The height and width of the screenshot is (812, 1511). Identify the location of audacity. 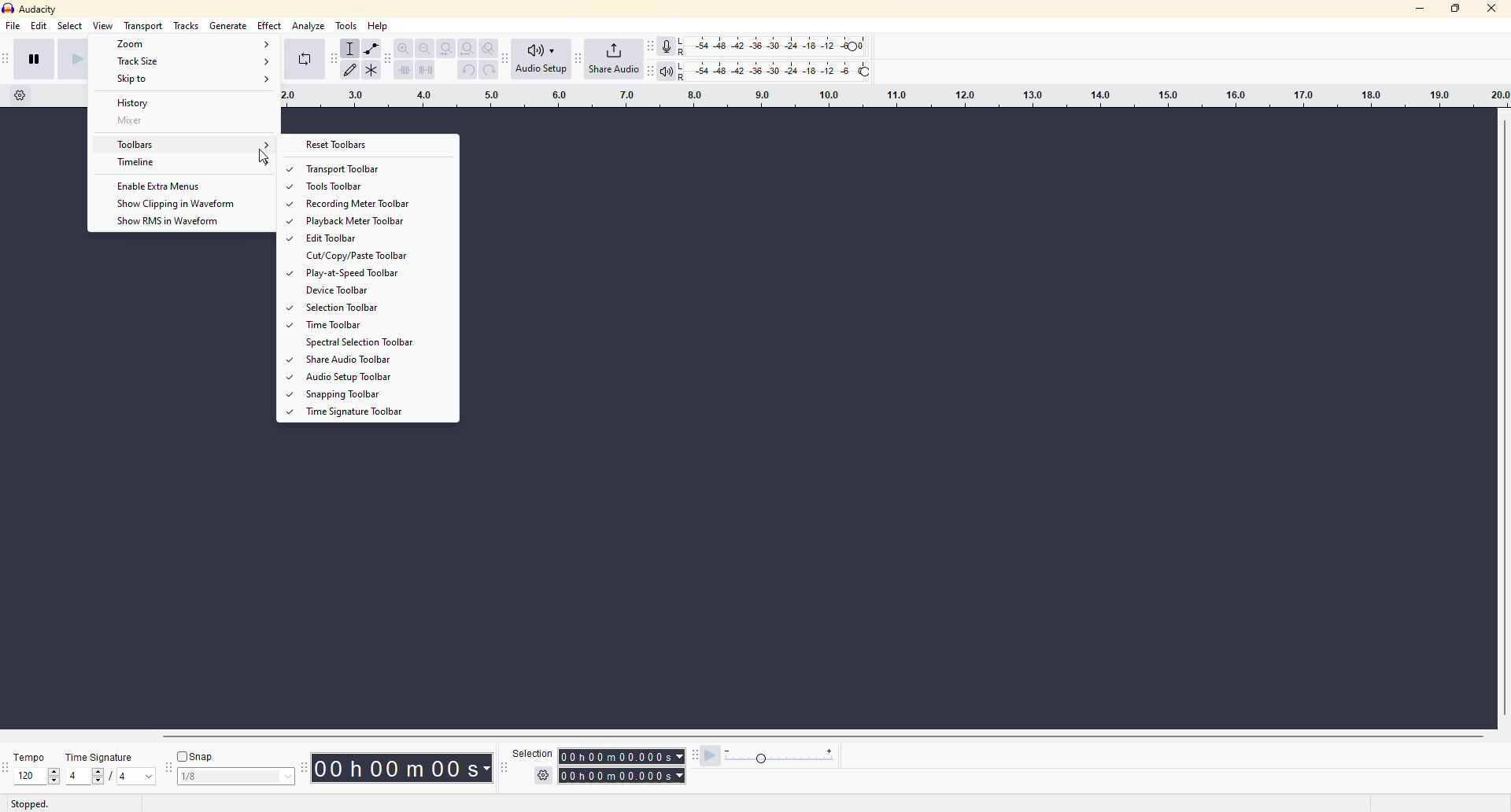
(31, 10).